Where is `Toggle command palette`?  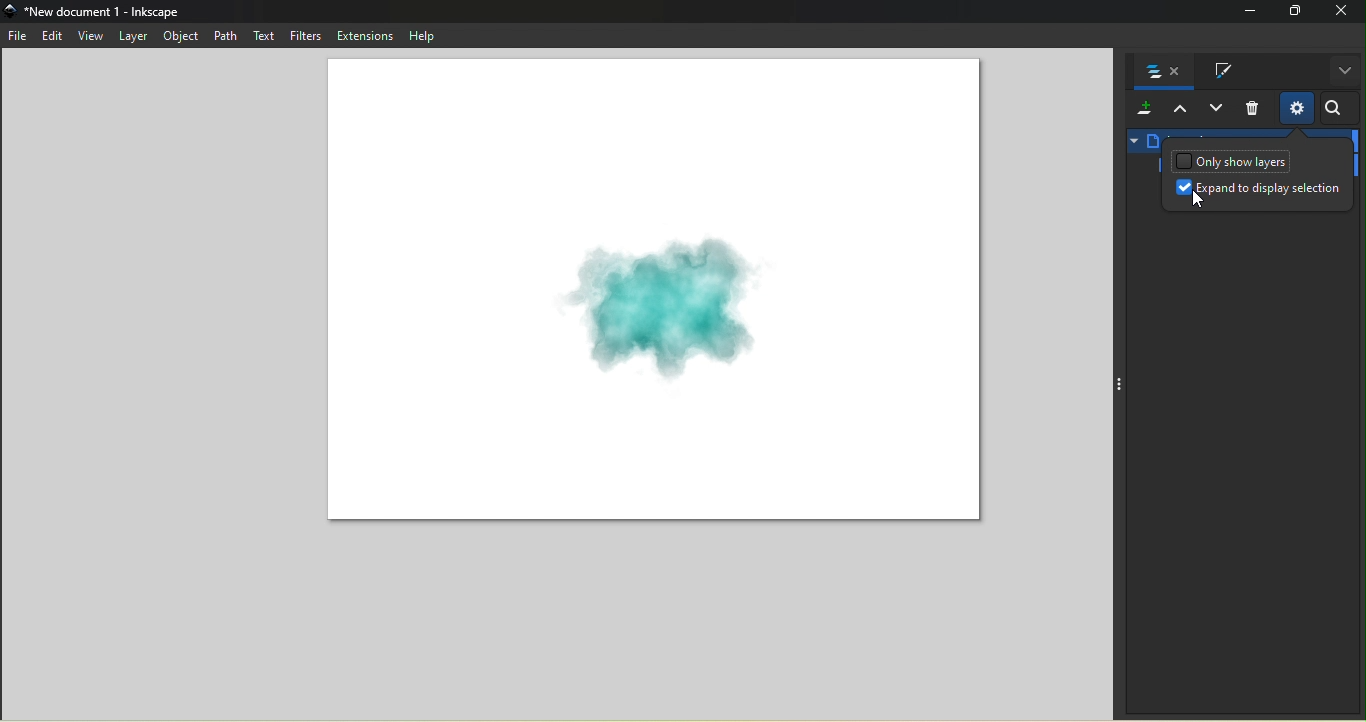
Toggle command palette is located at coordinates (1118, 385).